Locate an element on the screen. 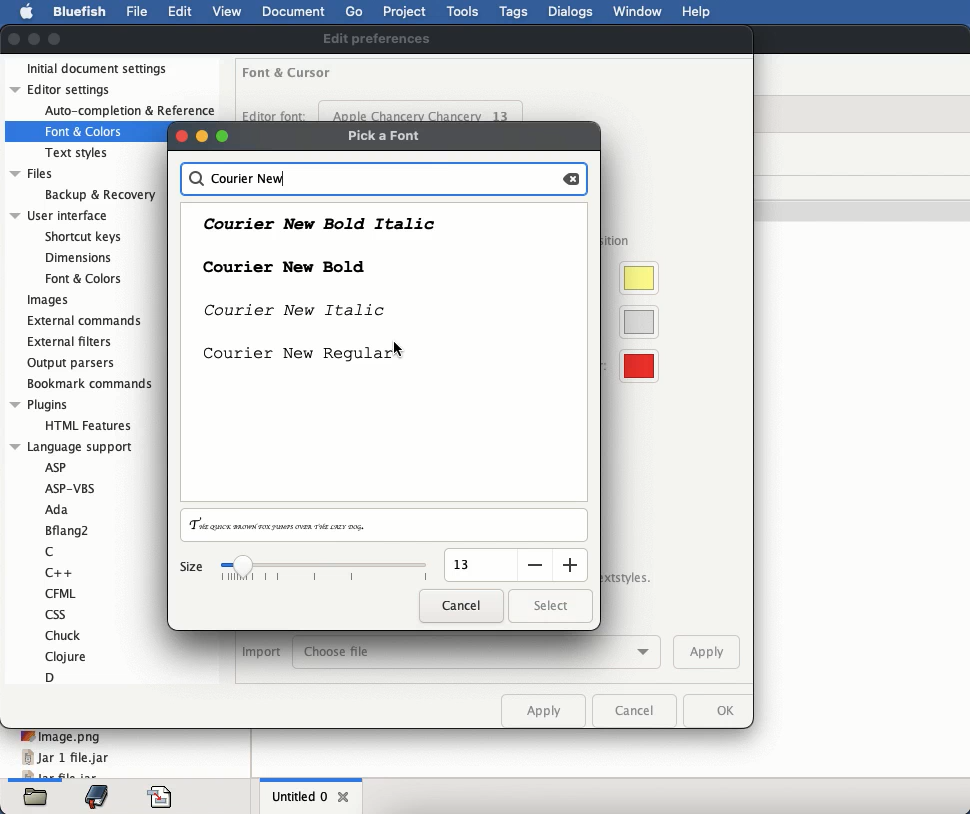 This screenshot has width=970, height=814. select is located at coordinates (549, 603).